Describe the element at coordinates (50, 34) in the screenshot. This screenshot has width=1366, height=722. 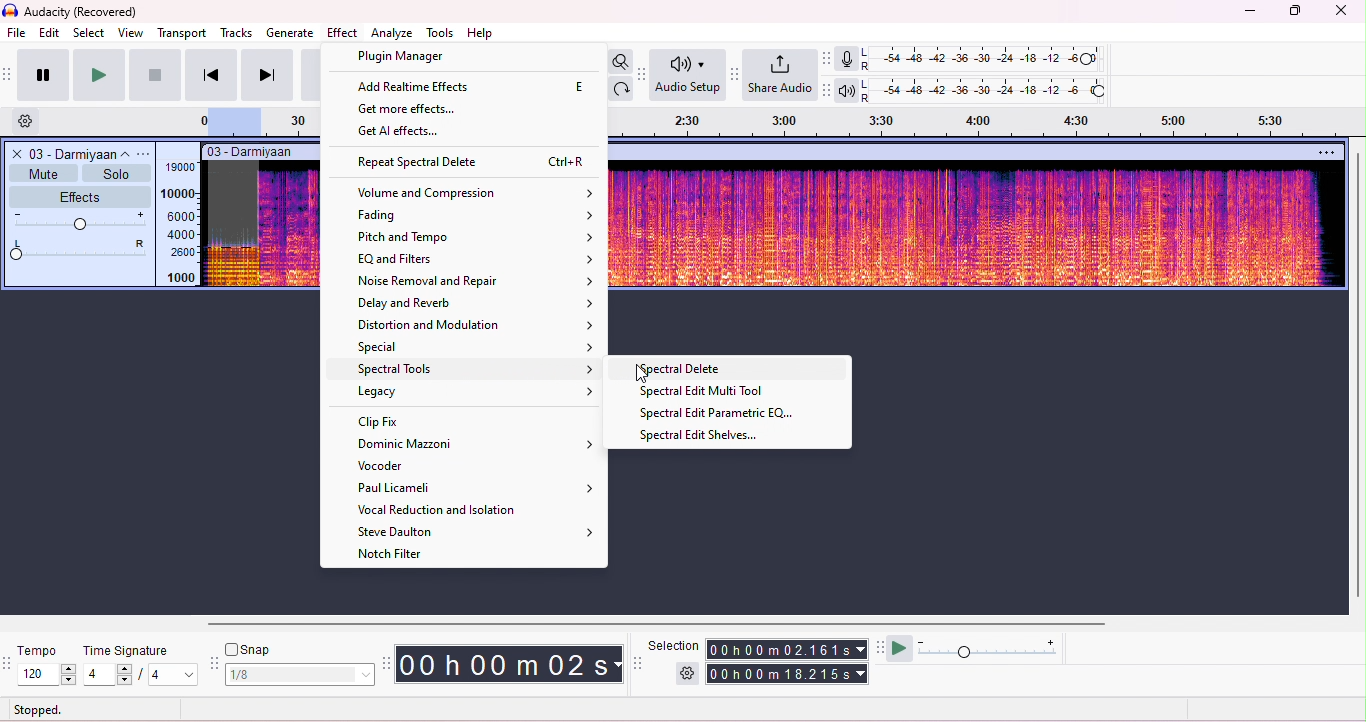
I see `edit` at that location.